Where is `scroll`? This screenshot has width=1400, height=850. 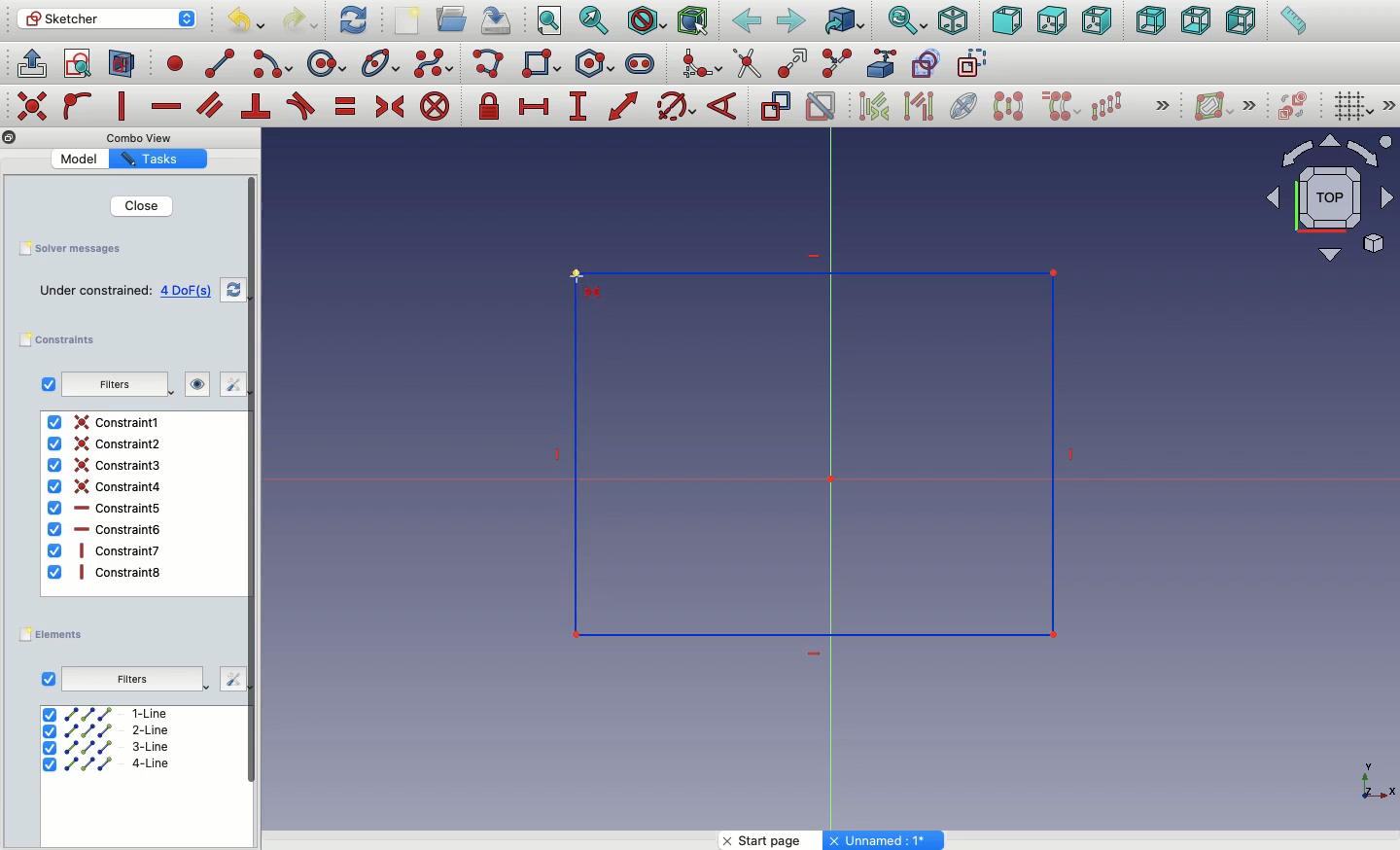 scroll is located at coordinates (254, 511).